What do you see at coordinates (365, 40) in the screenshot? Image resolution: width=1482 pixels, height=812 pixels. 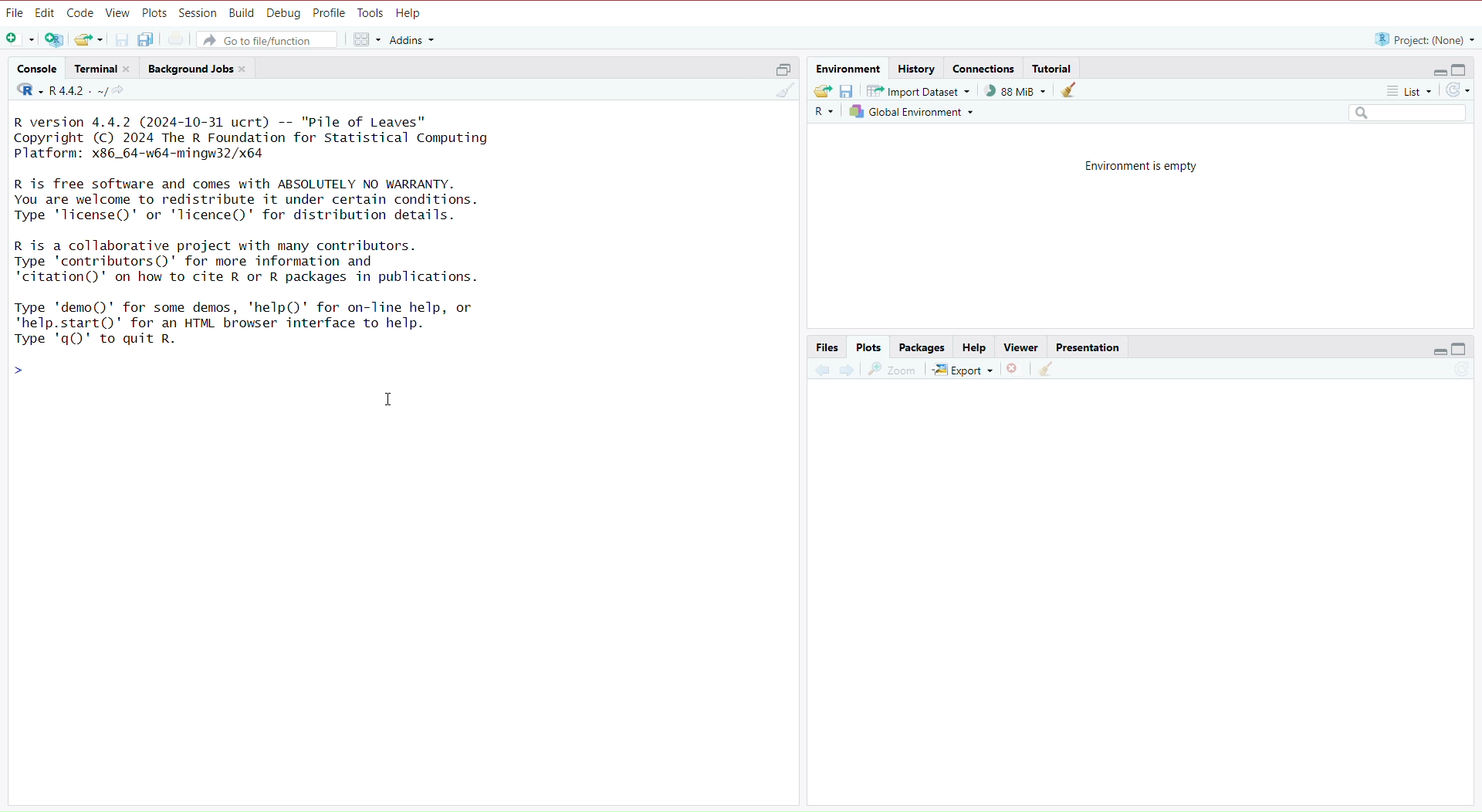 I see `workspace panes` at bounding box center [365, 40].